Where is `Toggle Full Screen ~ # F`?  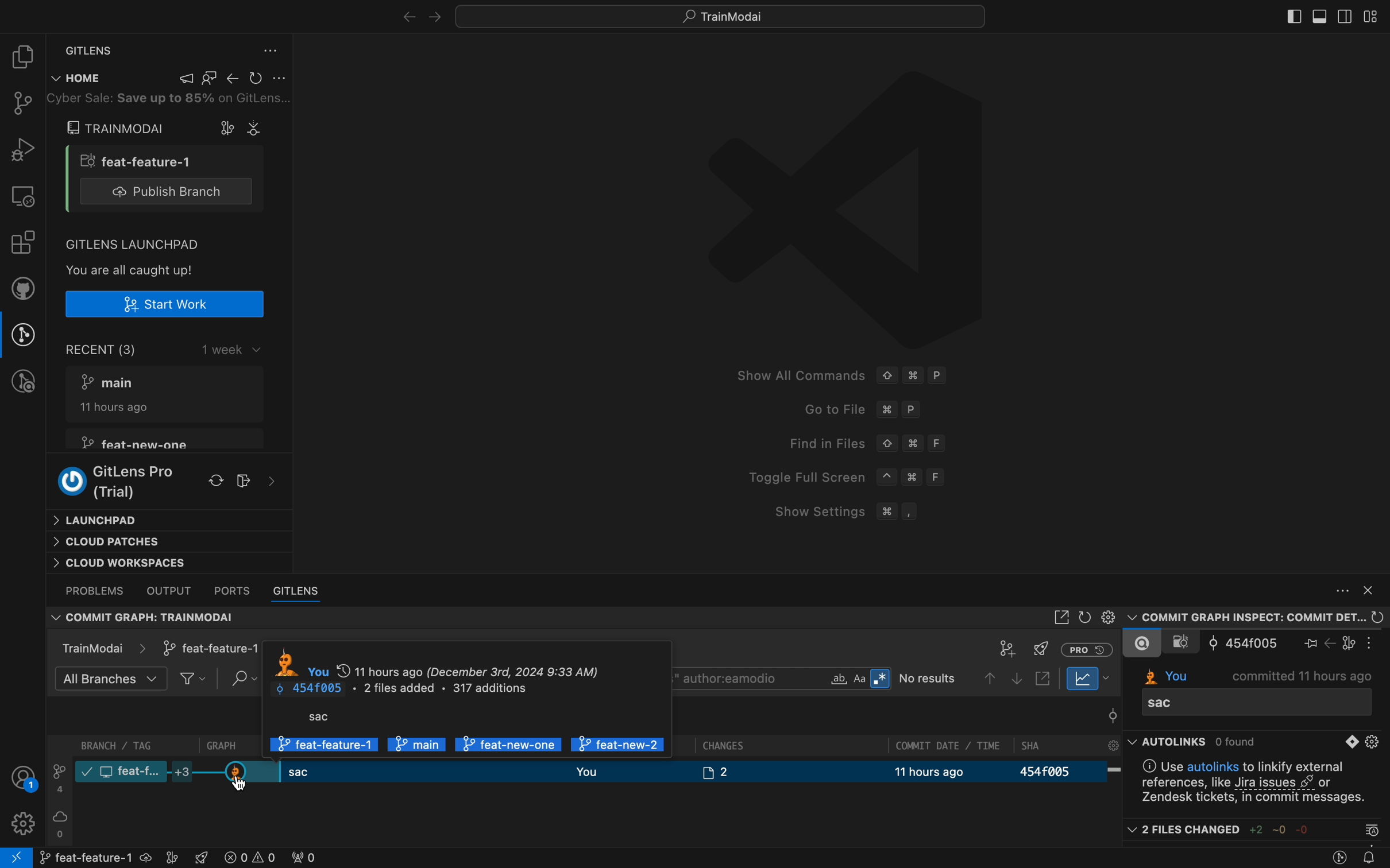 Toggle Full Screen ~ # F is located at coordinates (848, 478).